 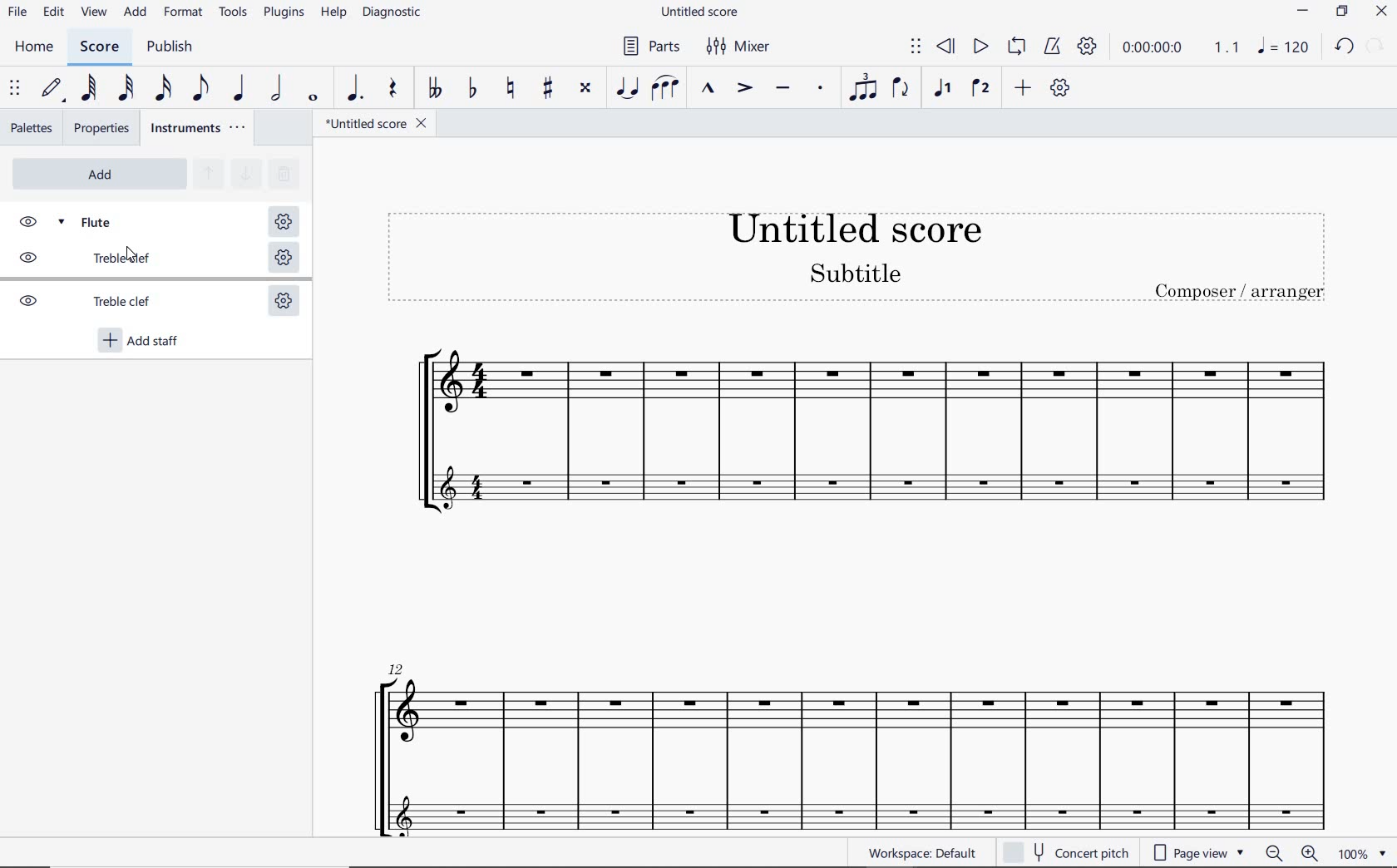 What do you see at coordinates (234, 13) in the screenshot?
I see `TOOLS` at bounding box center [234, 13].